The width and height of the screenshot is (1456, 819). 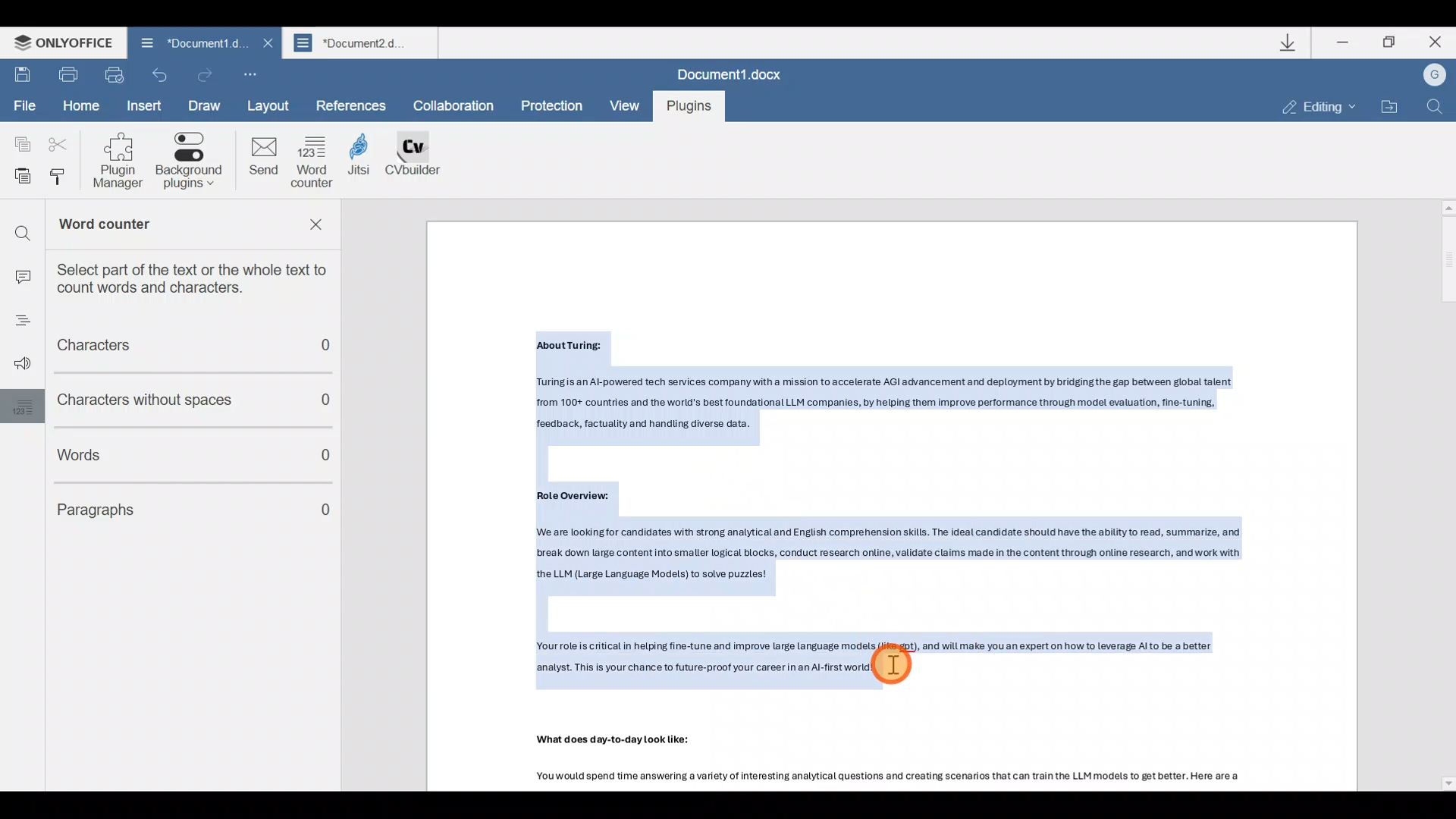 What do you see at coordinates (362, 42) in the screenshot?
I see `Document name` at bounding box center [362, 42].